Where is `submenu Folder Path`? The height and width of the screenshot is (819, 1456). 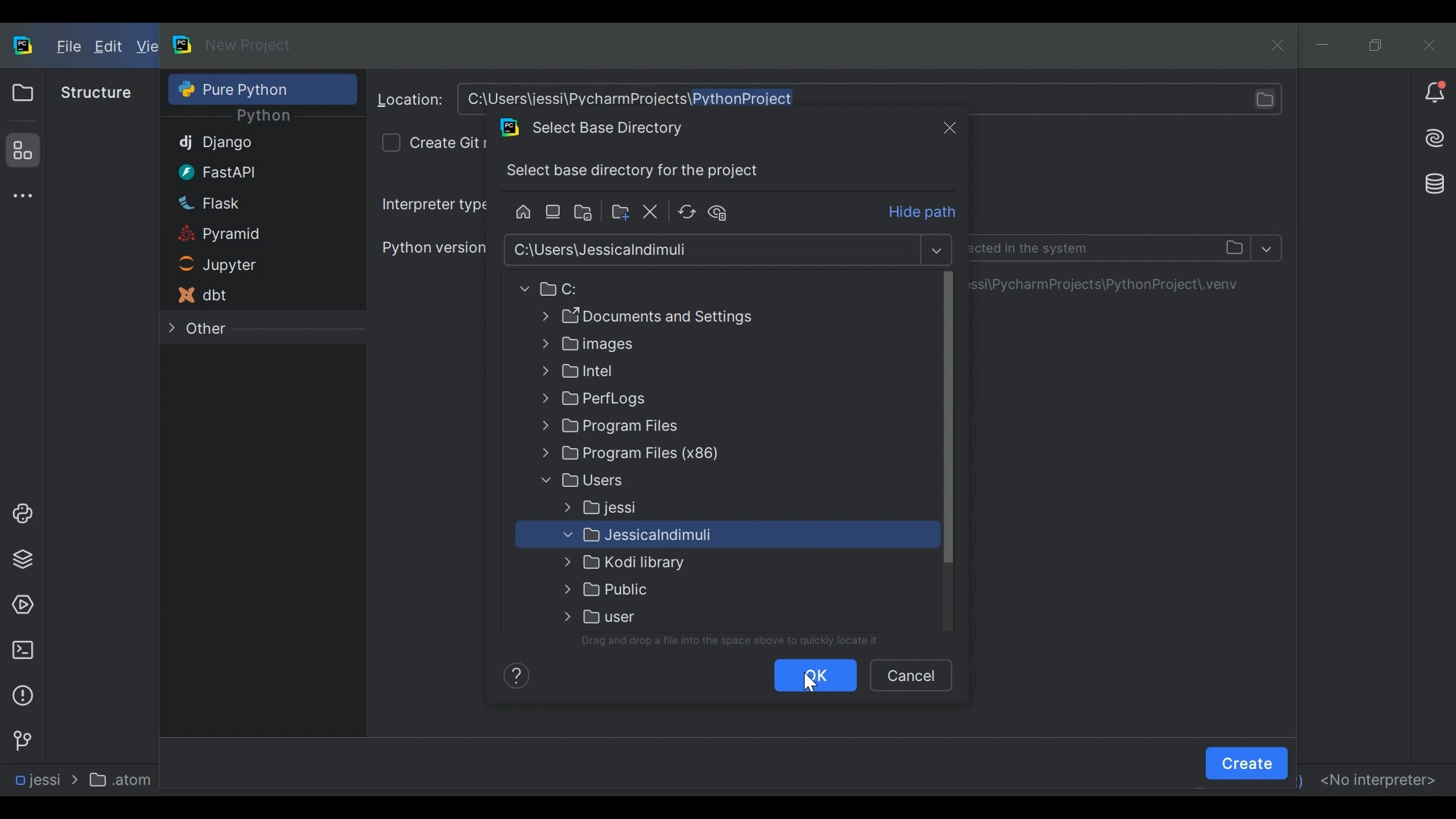
submenu Folder Path is located at coordinates (664, 616).